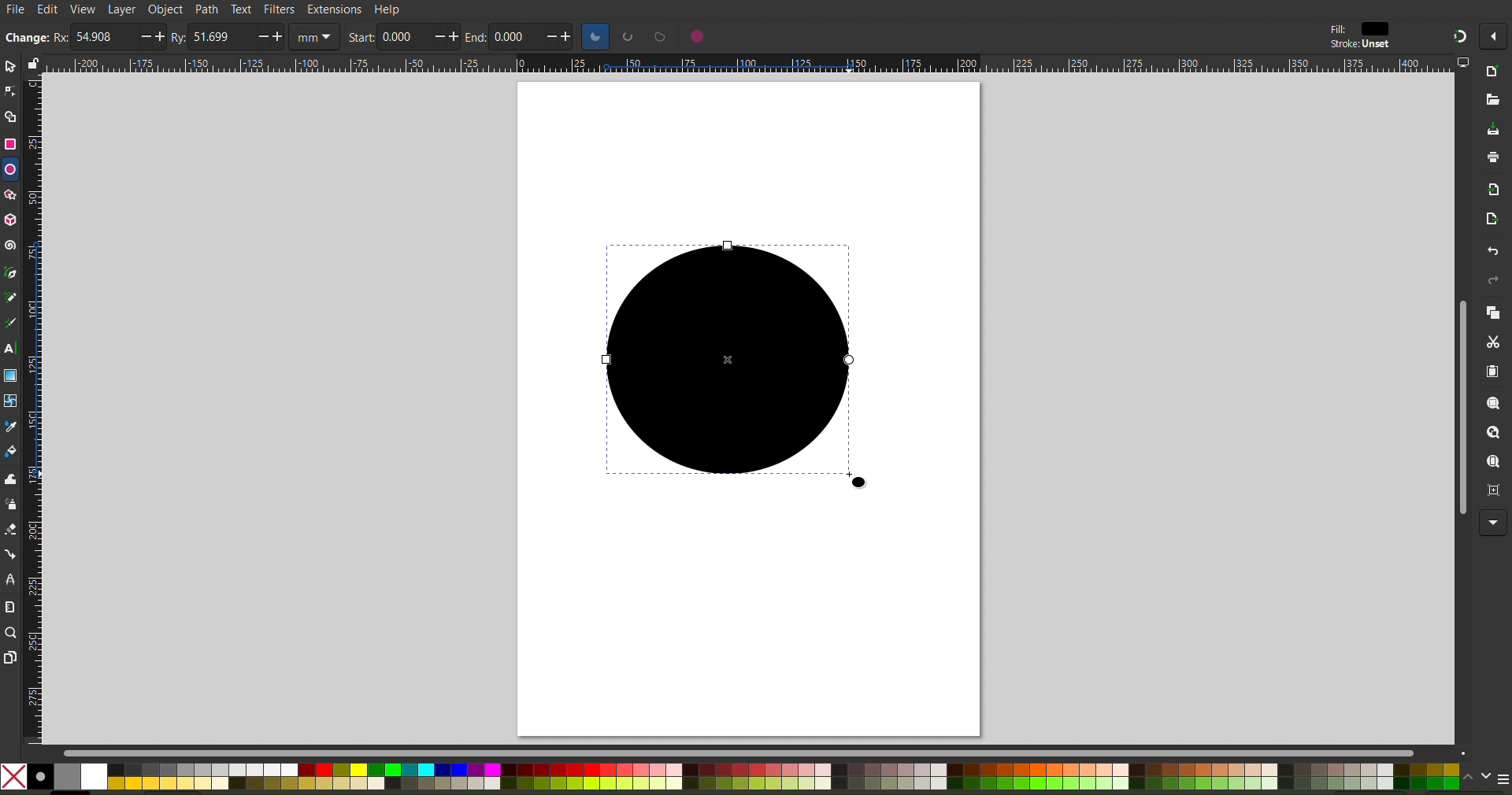 The image size is (1512, 795). Describe the element at coordinates (62, 39) in the screenshot. I see `rx` at that location.